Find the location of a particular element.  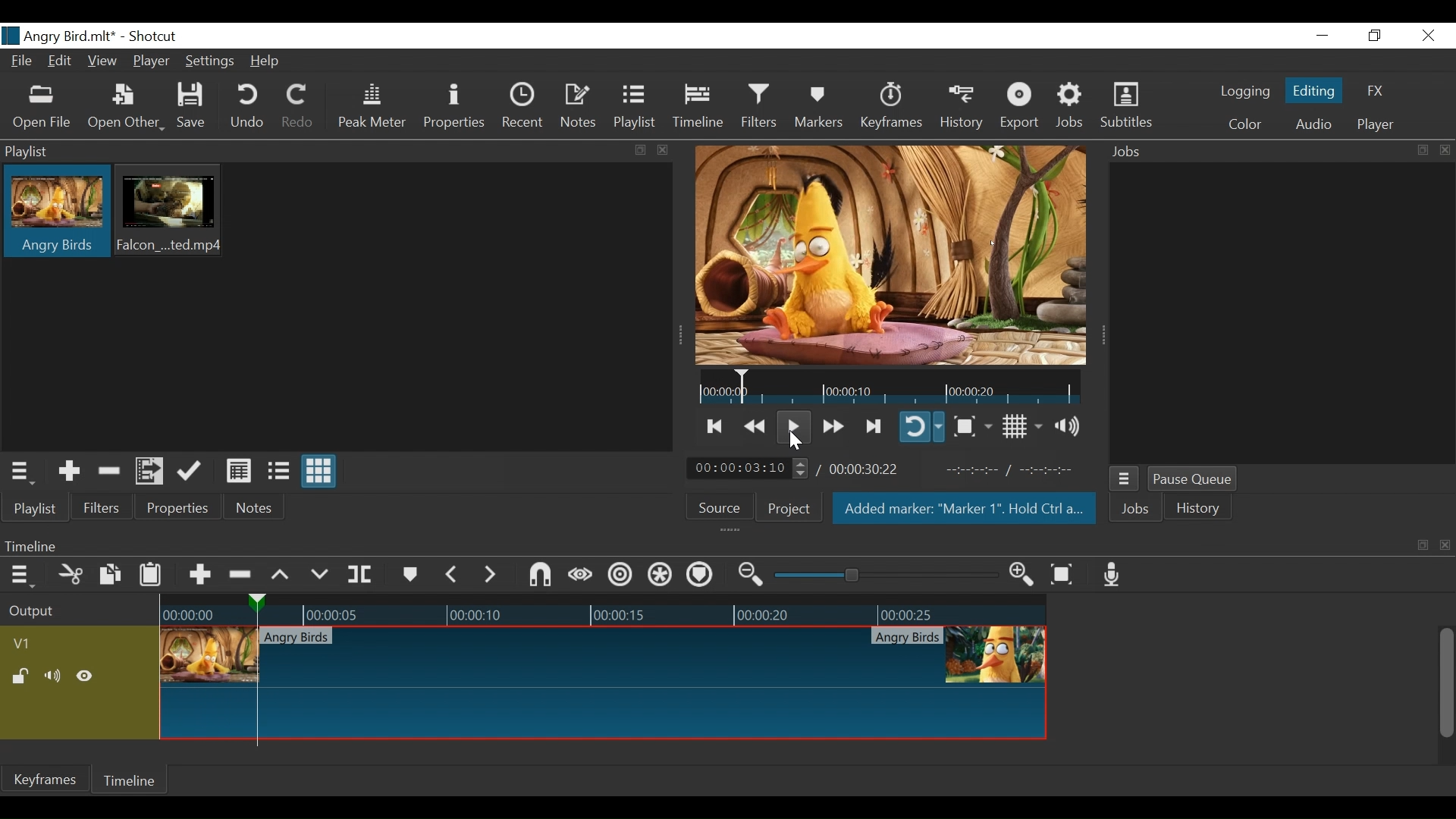

Next Marker is located at coordinates (490, 574).